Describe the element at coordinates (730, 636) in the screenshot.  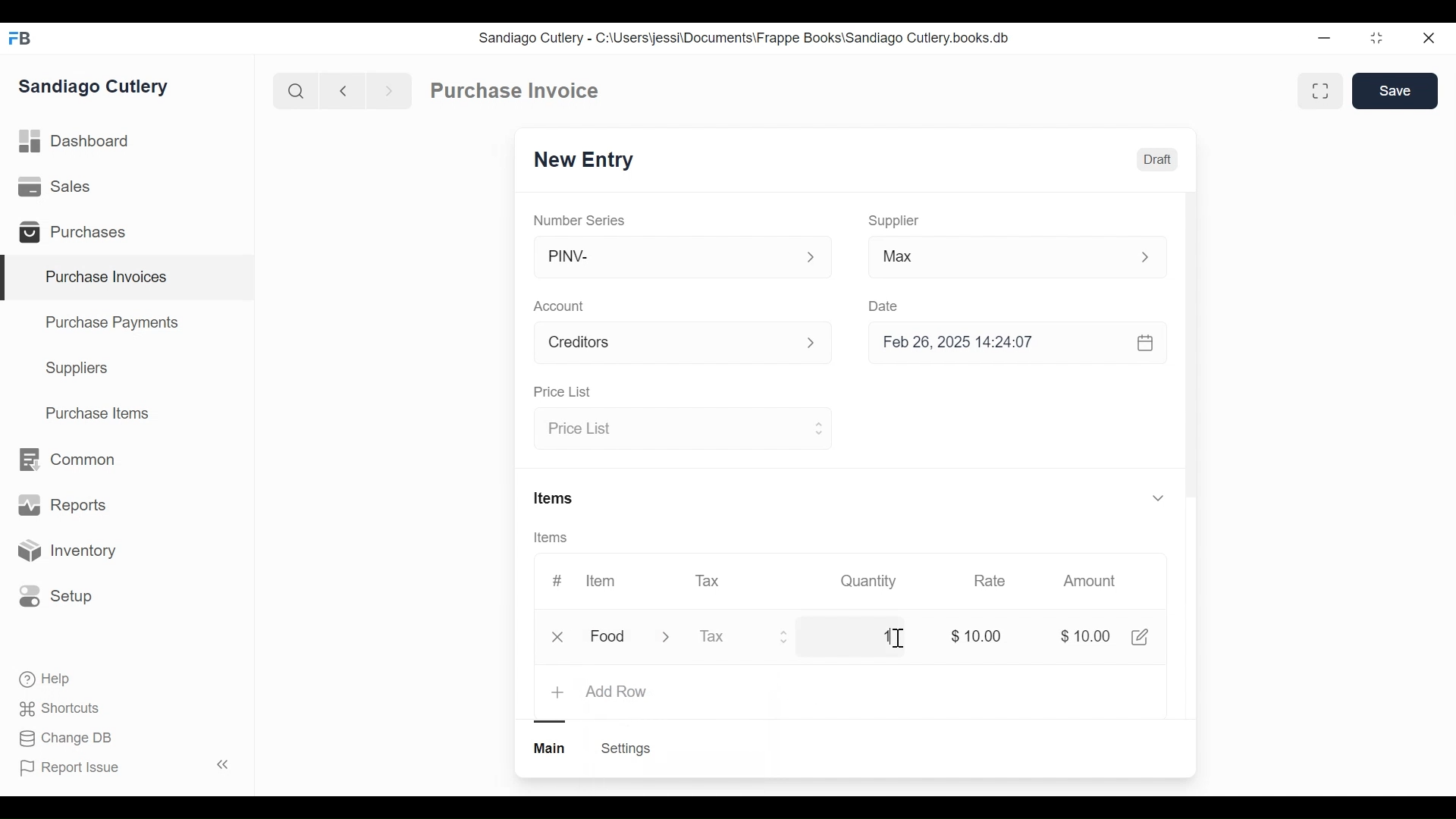
I see `Tax` at that location.